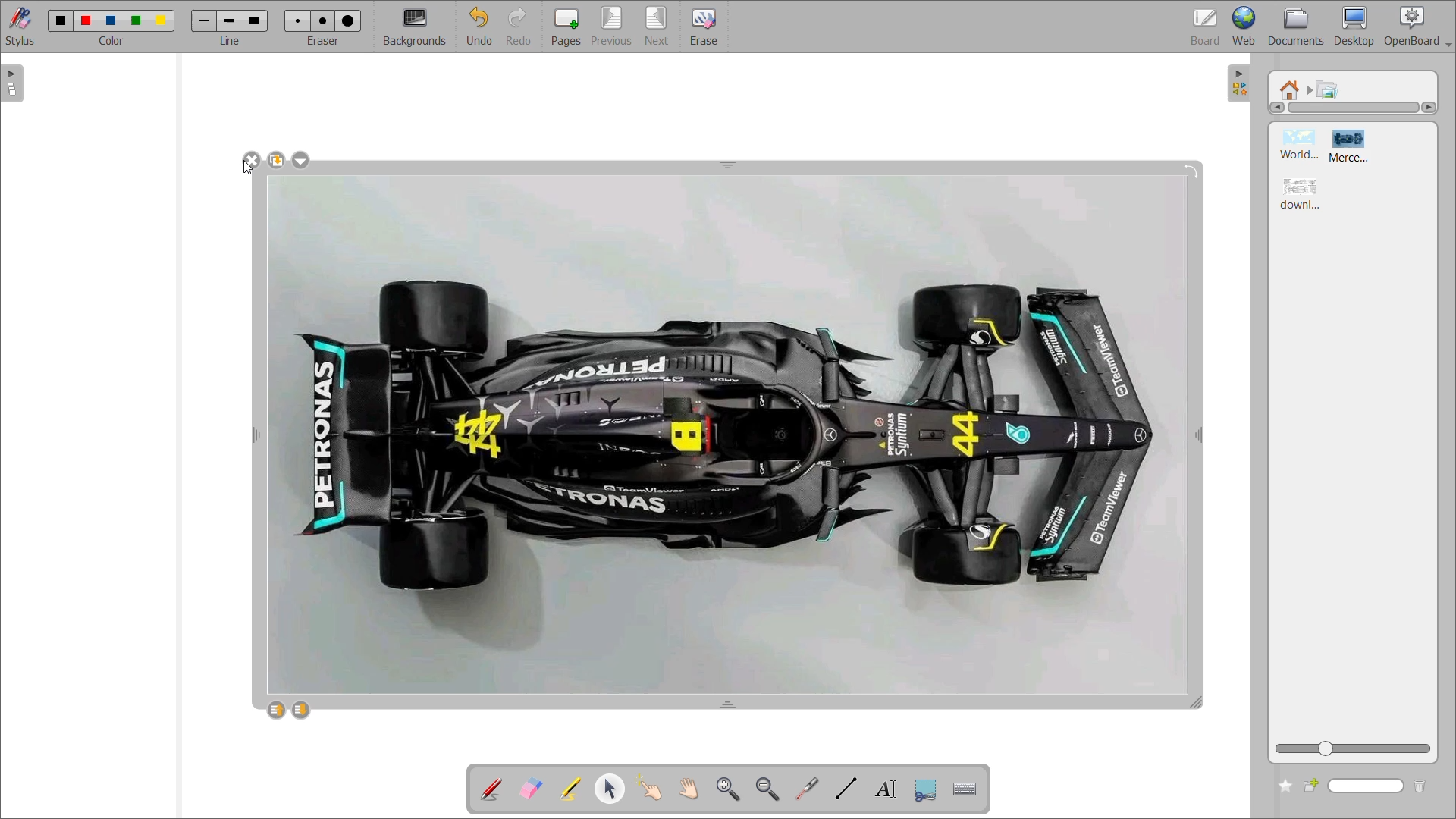  I want to click on rotate, so click(1192, 172).